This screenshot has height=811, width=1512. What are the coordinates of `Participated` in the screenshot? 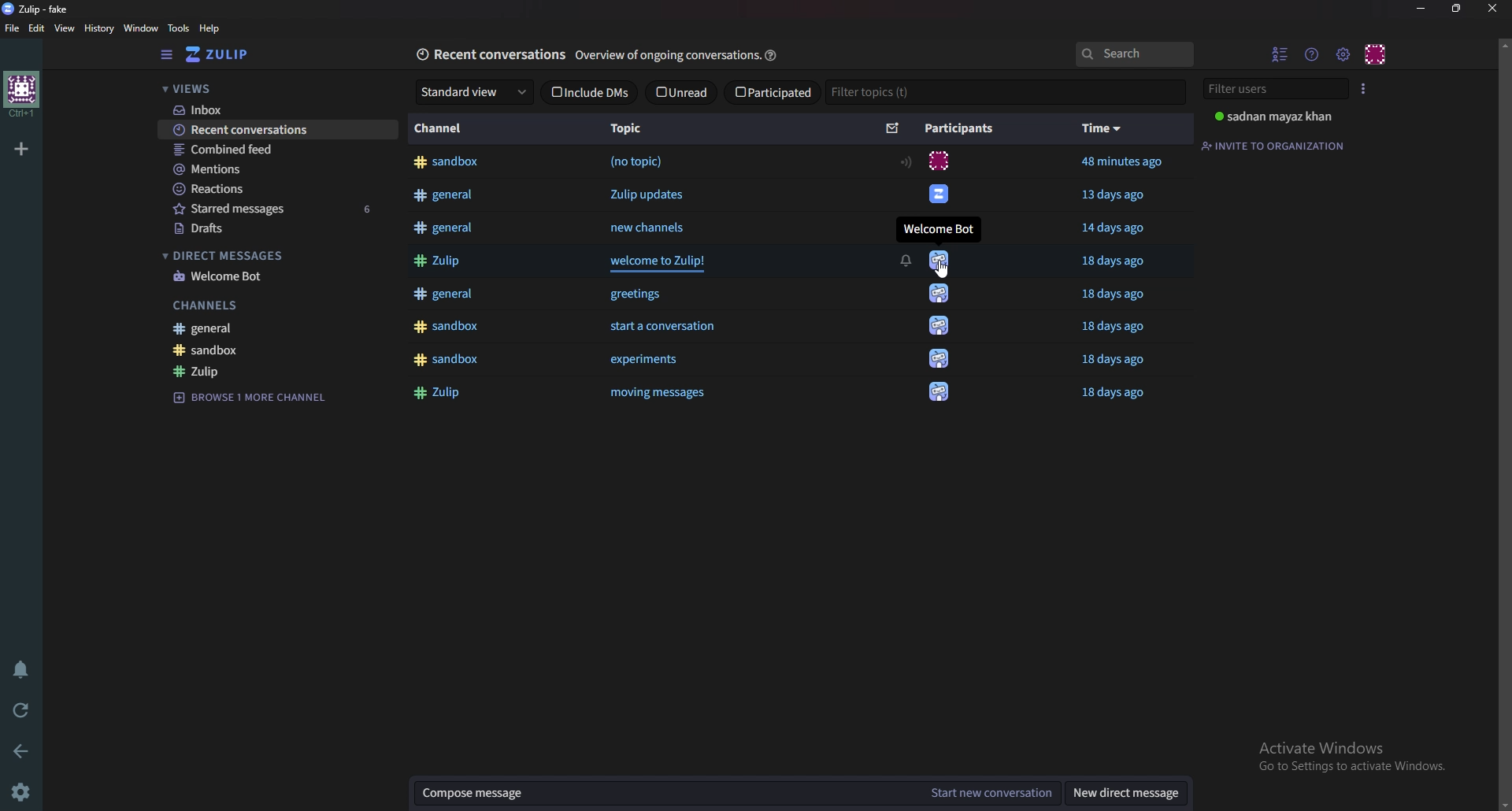 It's located at (774, 92).